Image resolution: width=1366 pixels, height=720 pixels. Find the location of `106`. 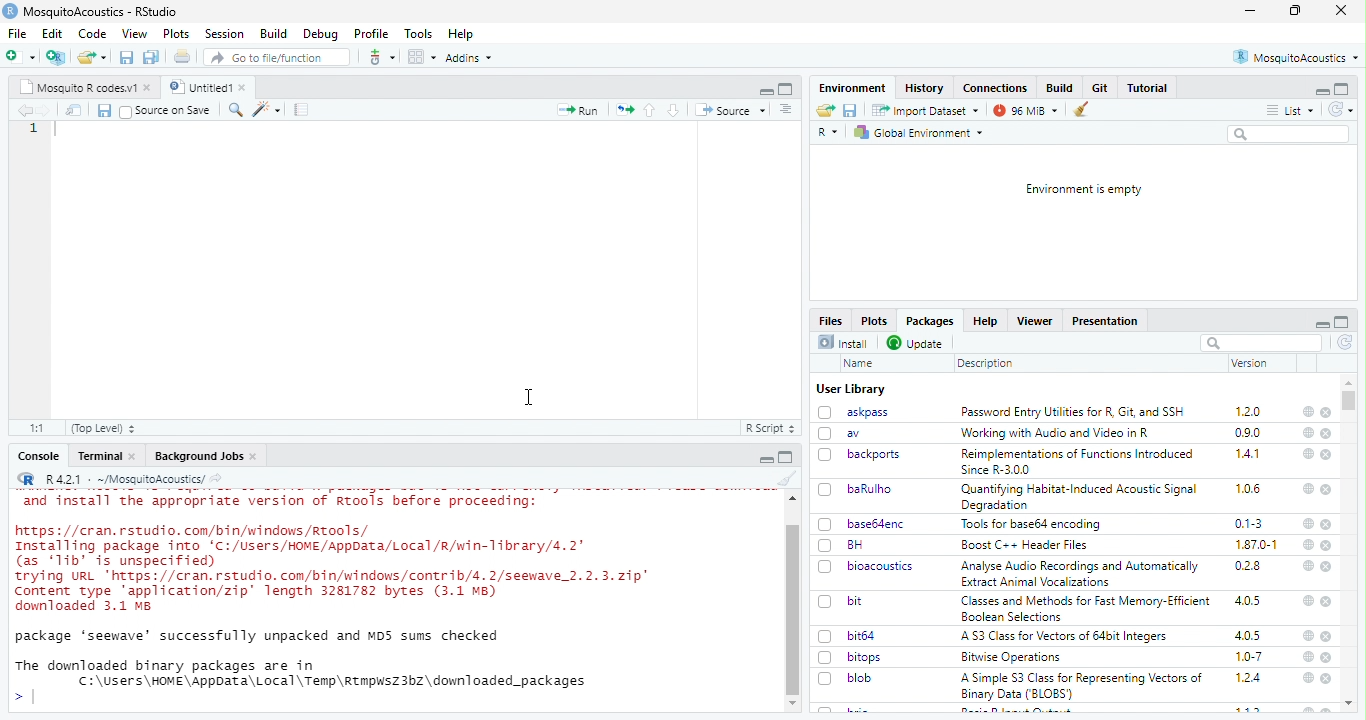

106 is located at coordinates (1248, 489).